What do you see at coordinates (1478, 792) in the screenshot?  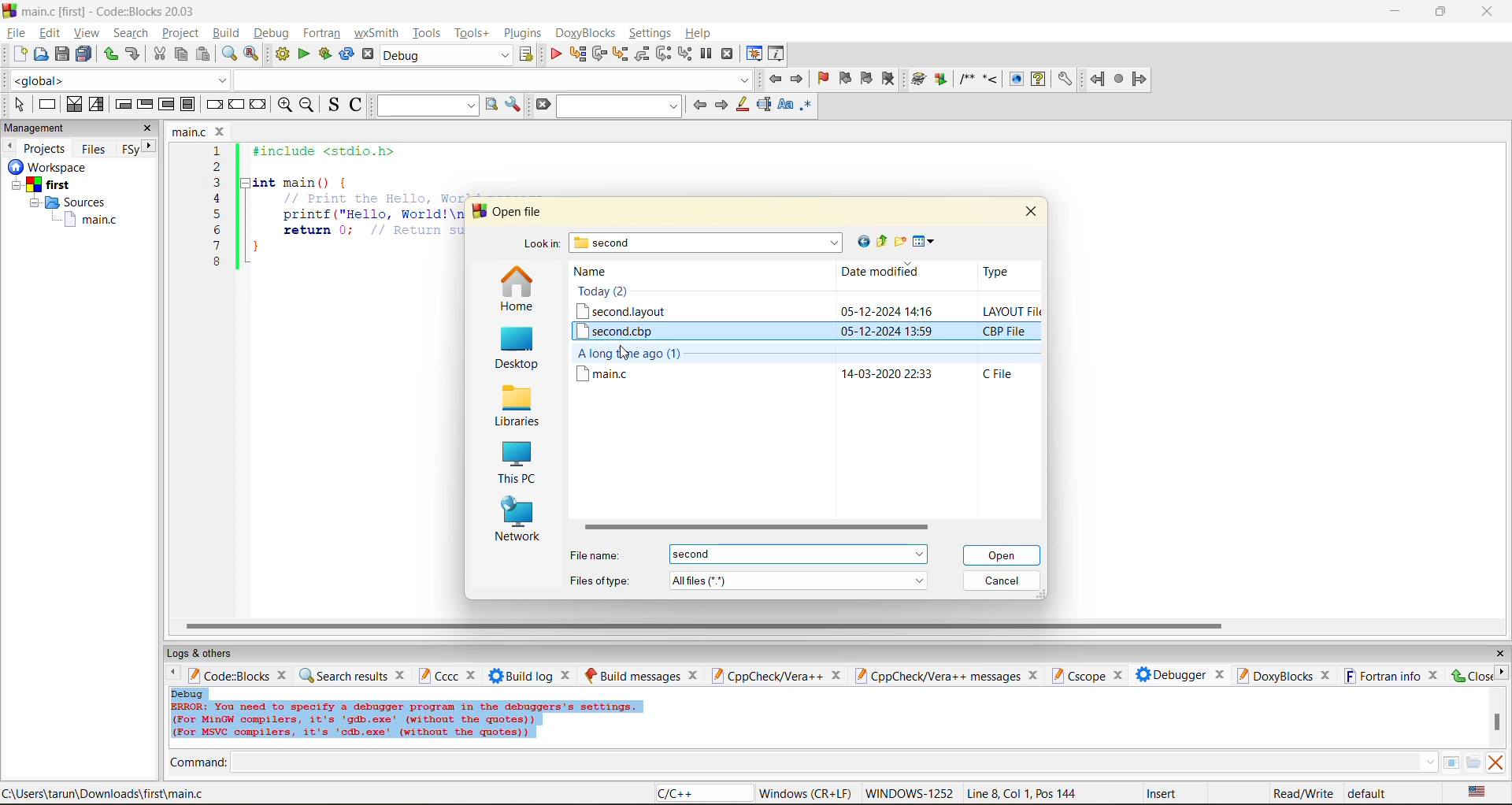 I see `text language` at bounding box center [1478, 792].